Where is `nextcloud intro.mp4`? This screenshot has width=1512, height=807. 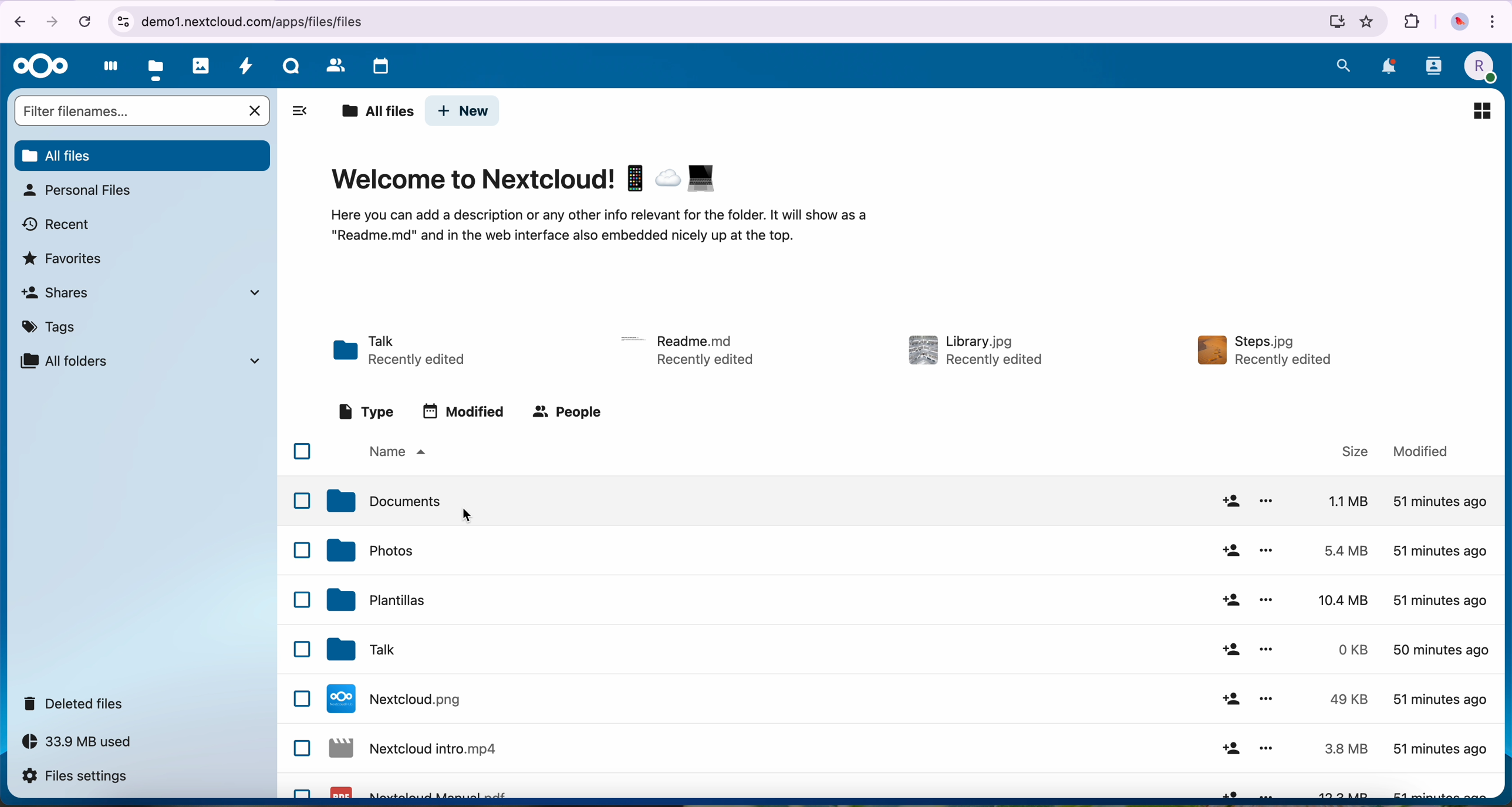
nextcloud intro.mp4 is located at coordinates (417, 748).